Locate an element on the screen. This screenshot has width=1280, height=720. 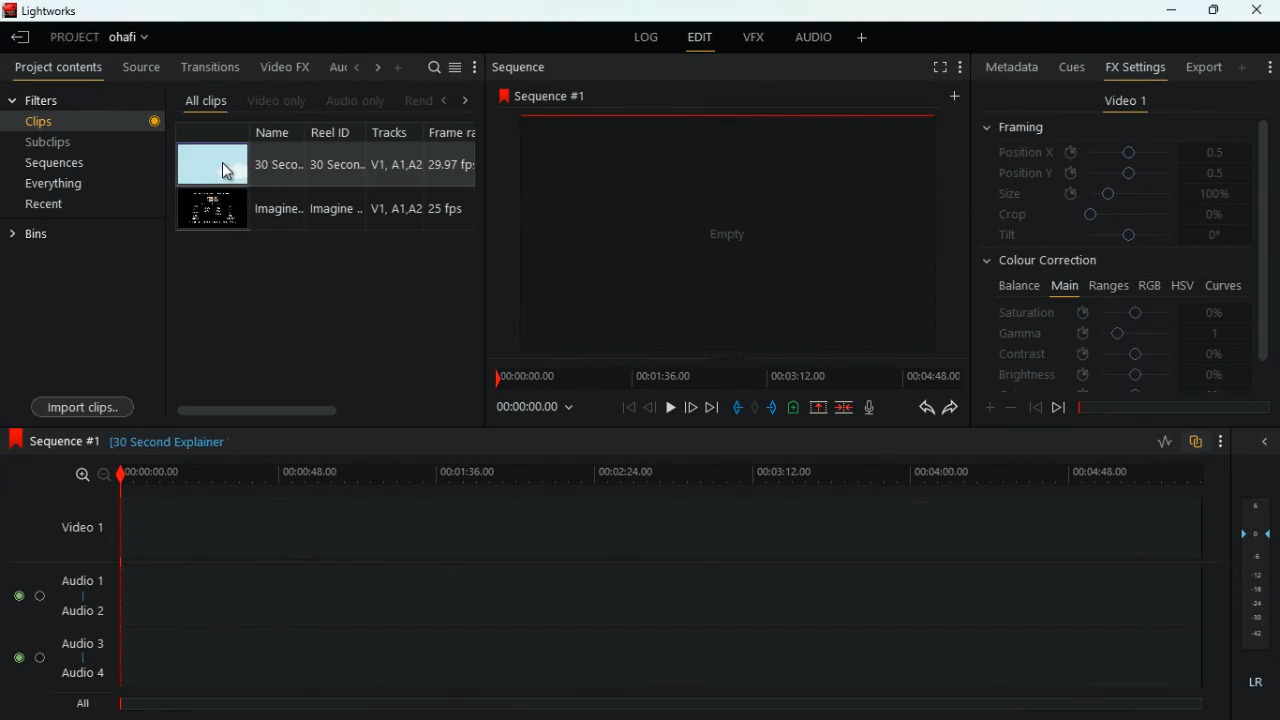
saturation is located at coordinates (1113, 314).